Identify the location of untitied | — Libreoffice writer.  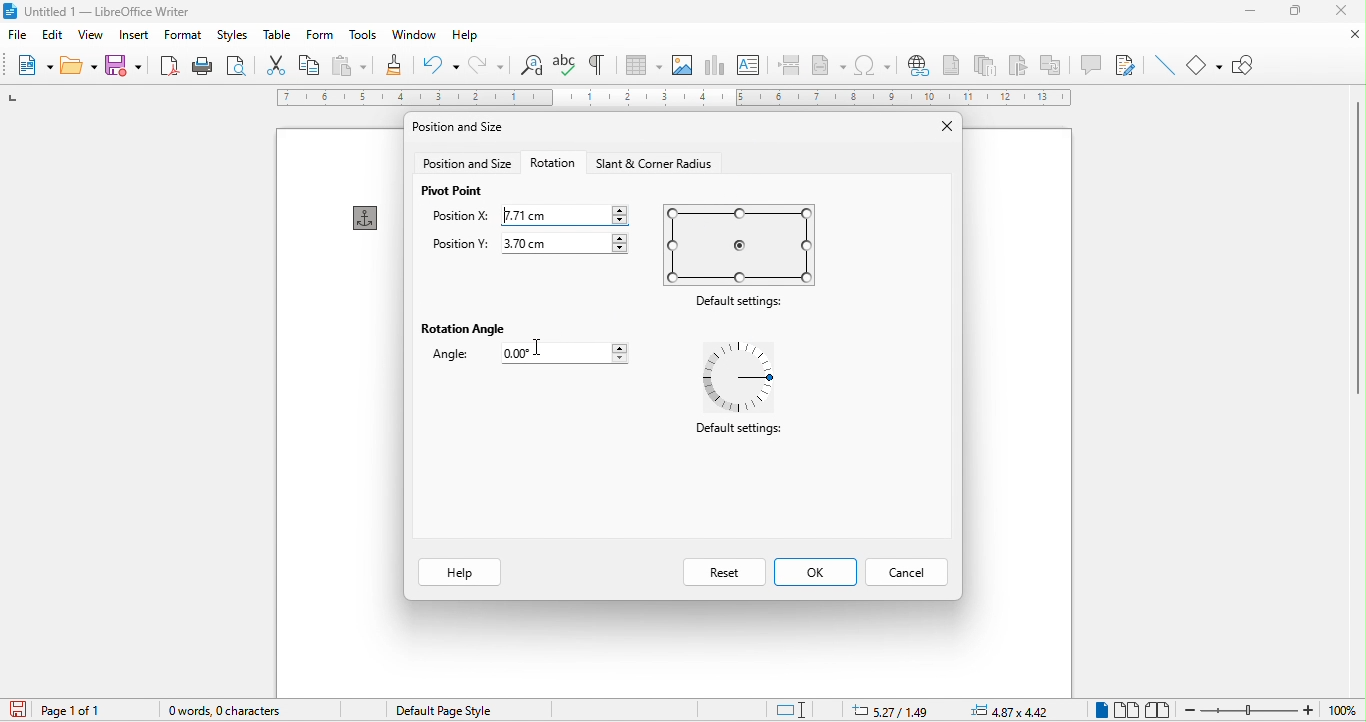
(124, 12).